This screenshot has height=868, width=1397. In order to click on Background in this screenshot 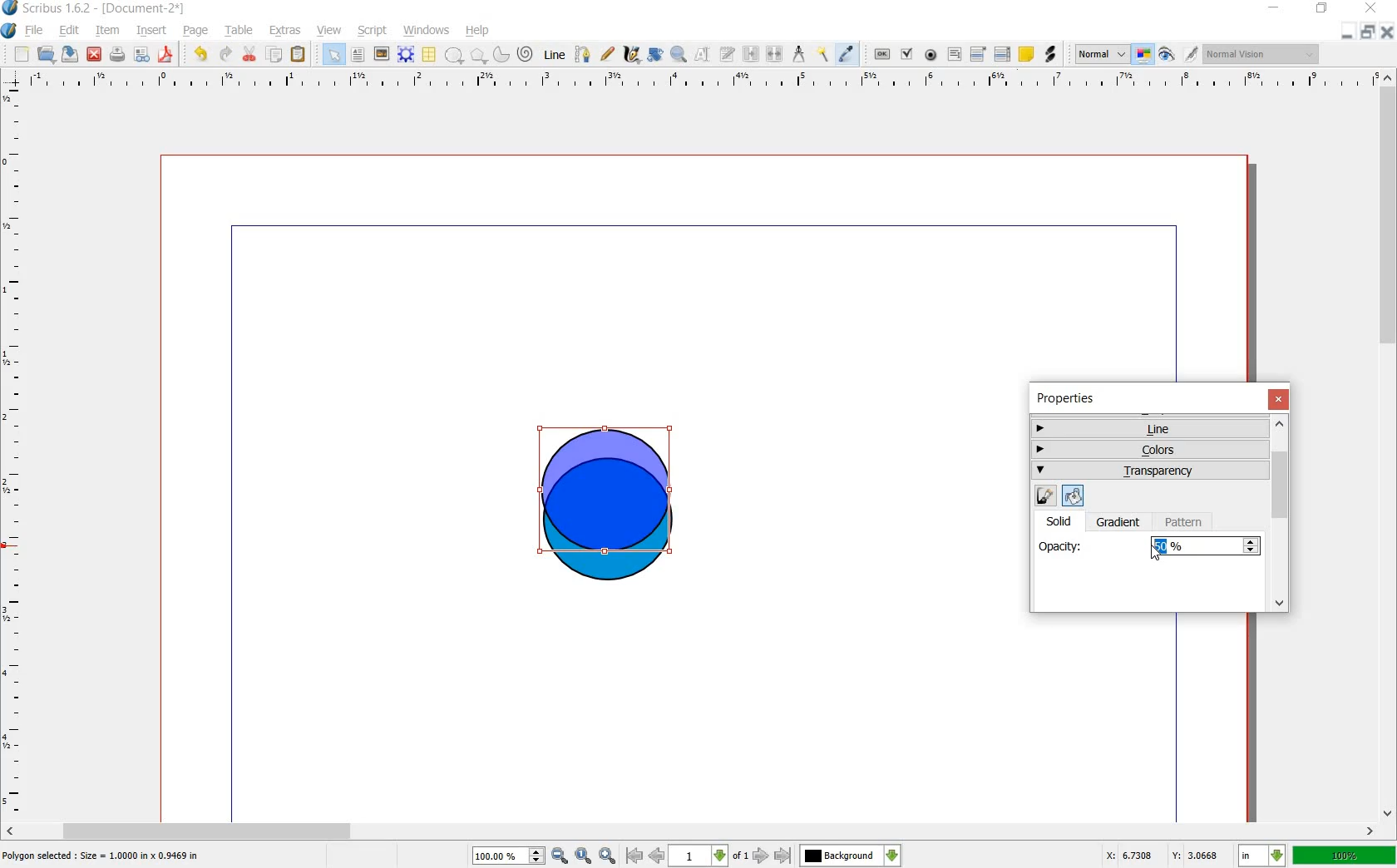, I will do `click(851, 856)`.